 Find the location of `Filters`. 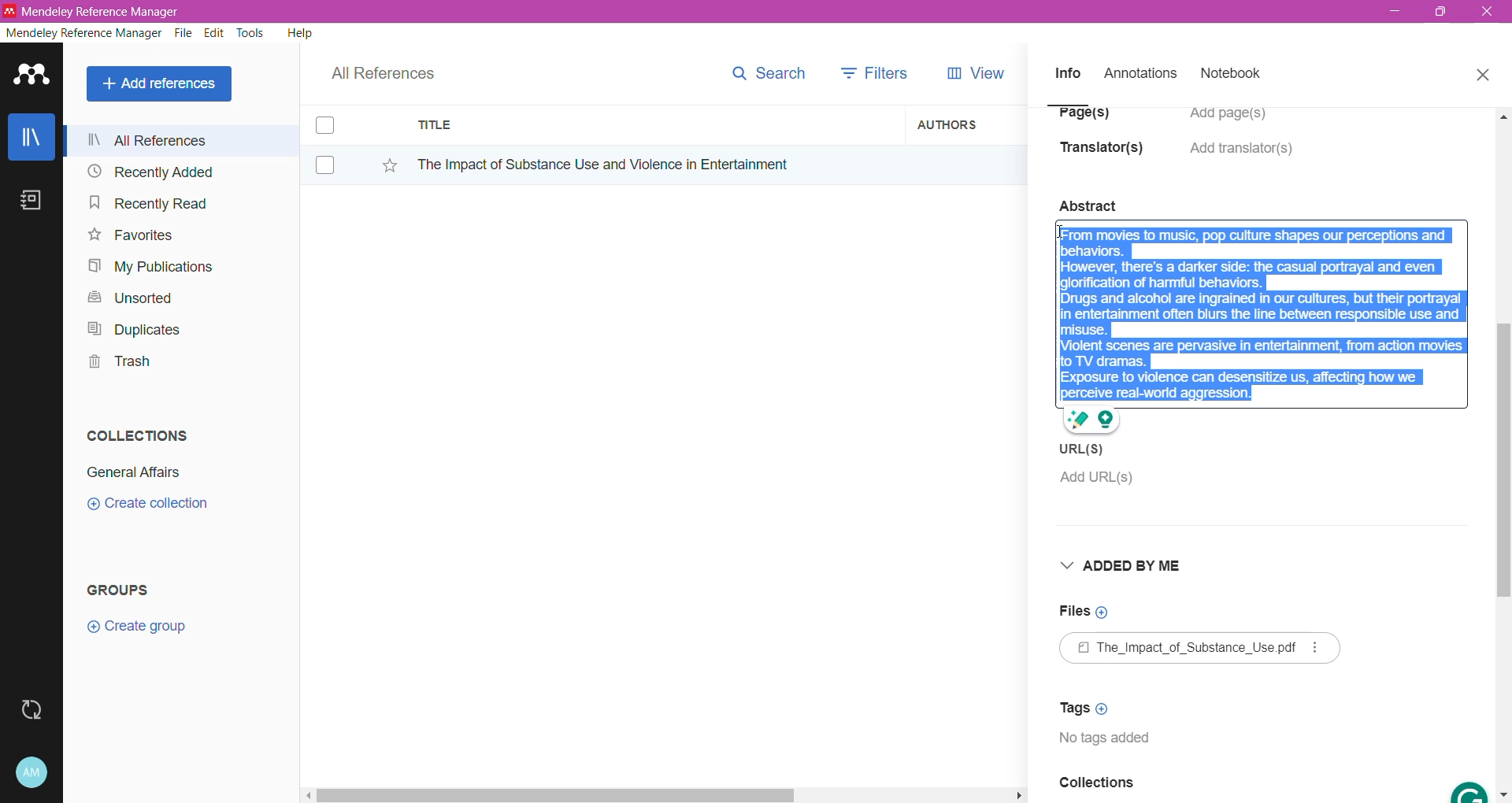

Filters is located at coordinates (879, 72).